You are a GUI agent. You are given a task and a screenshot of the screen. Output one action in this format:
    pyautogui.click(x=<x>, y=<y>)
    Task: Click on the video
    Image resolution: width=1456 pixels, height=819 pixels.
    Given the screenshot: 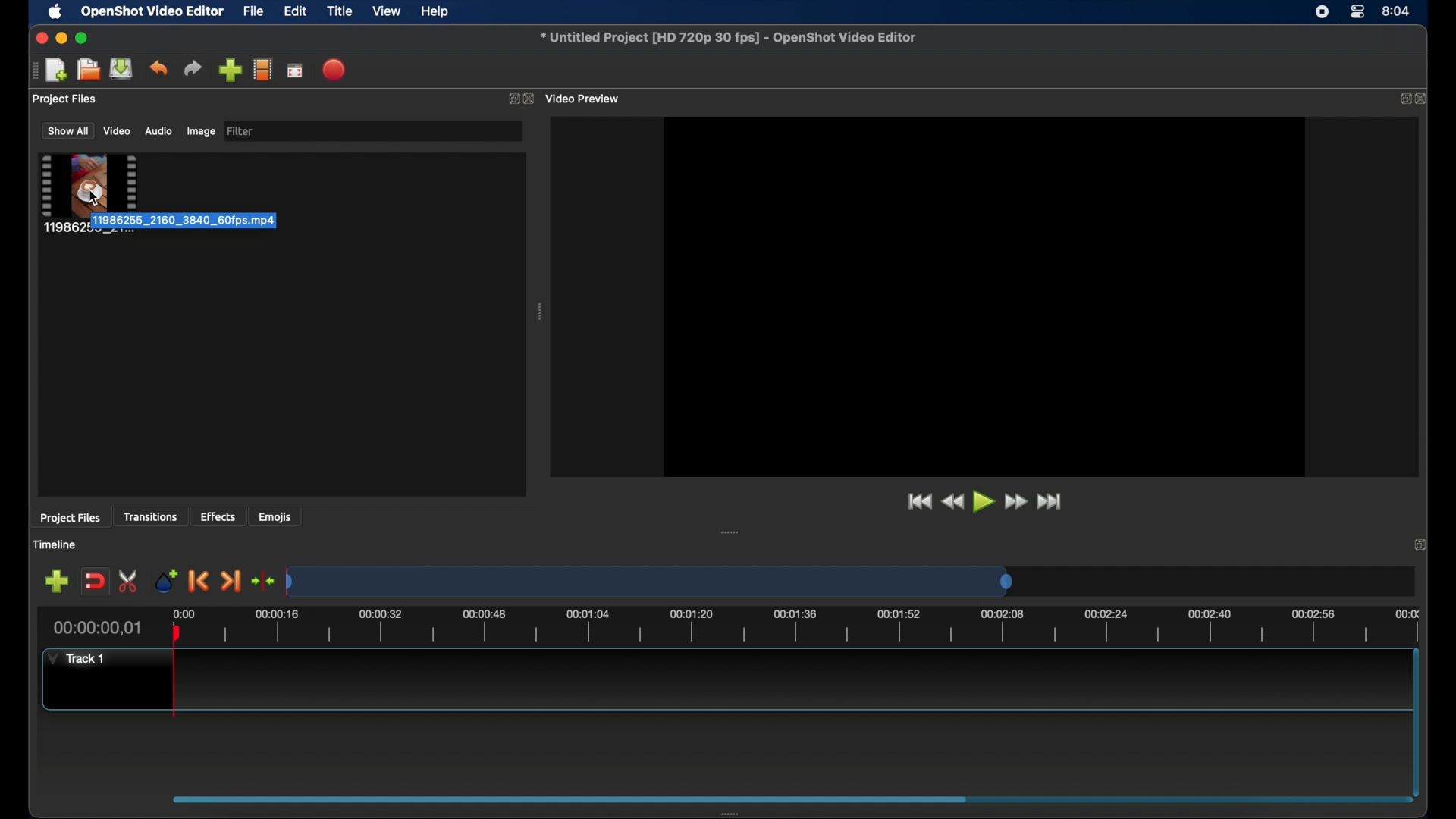 What is the action you would take?
    pyautogui.click(x=118, y=131)
    